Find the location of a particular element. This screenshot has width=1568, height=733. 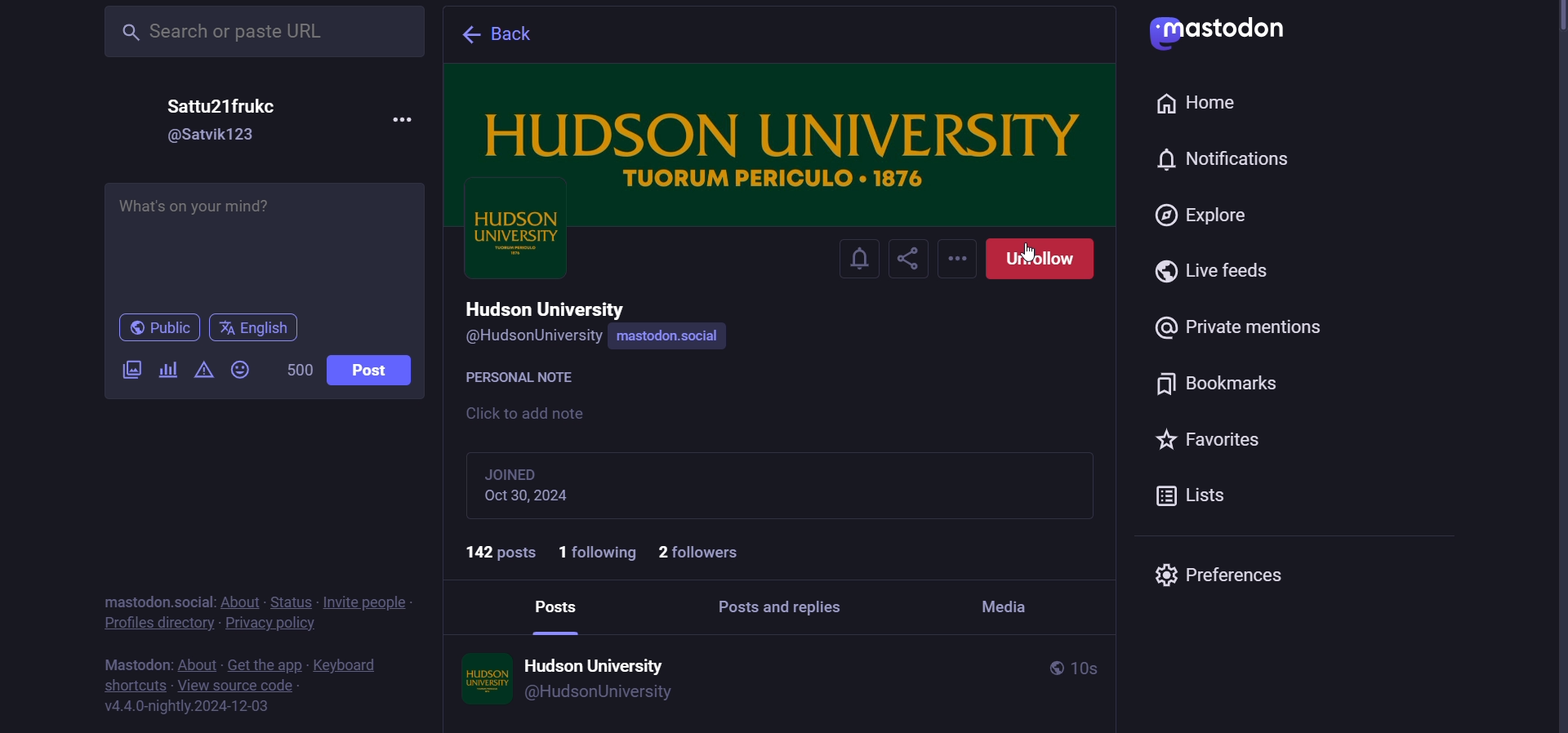

media is located at coordinates (1006, 602).